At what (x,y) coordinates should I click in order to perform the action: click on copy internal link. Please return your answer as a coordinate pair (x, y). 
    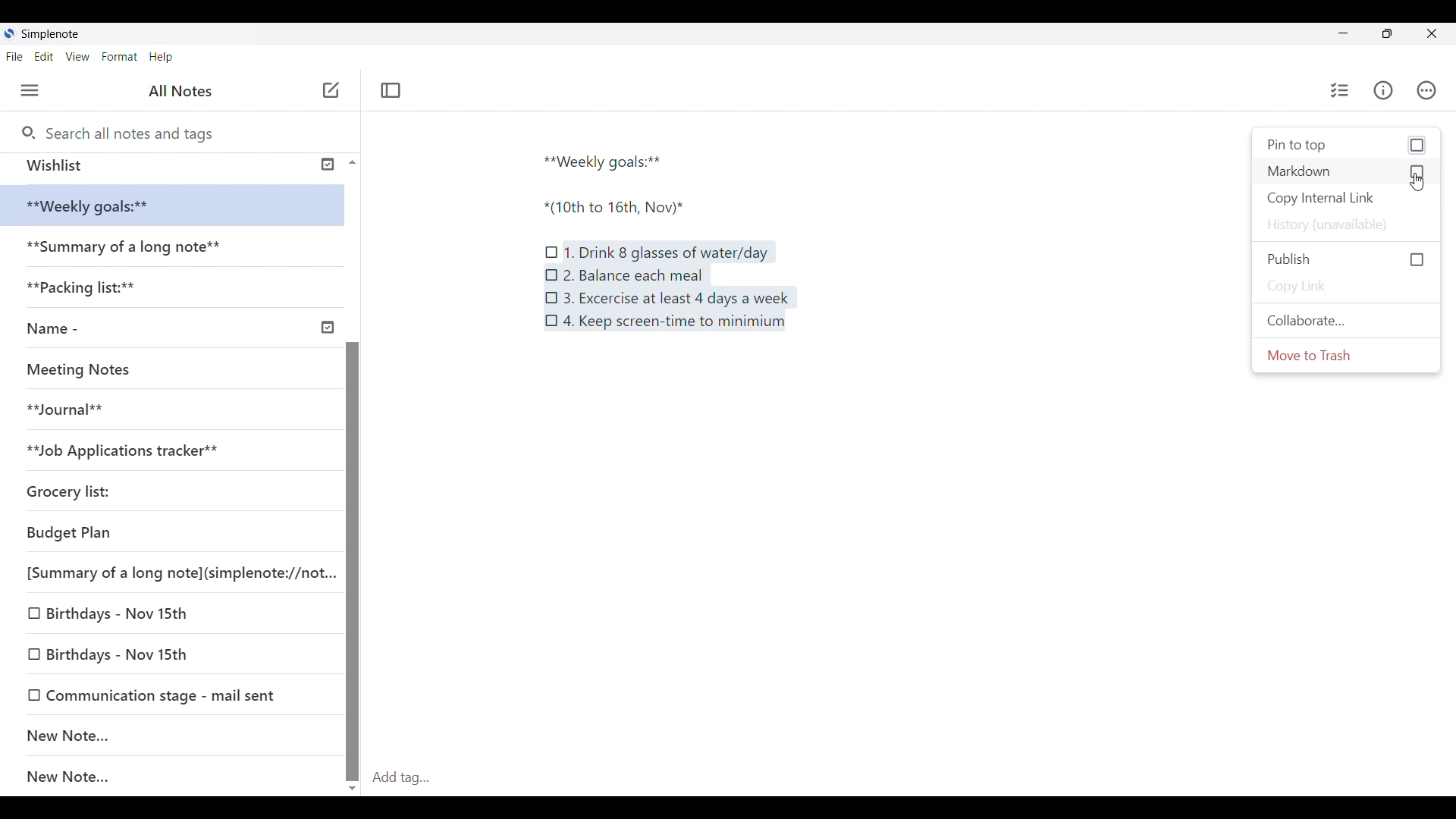
    Looking at the image, I should click on (1341, 199).